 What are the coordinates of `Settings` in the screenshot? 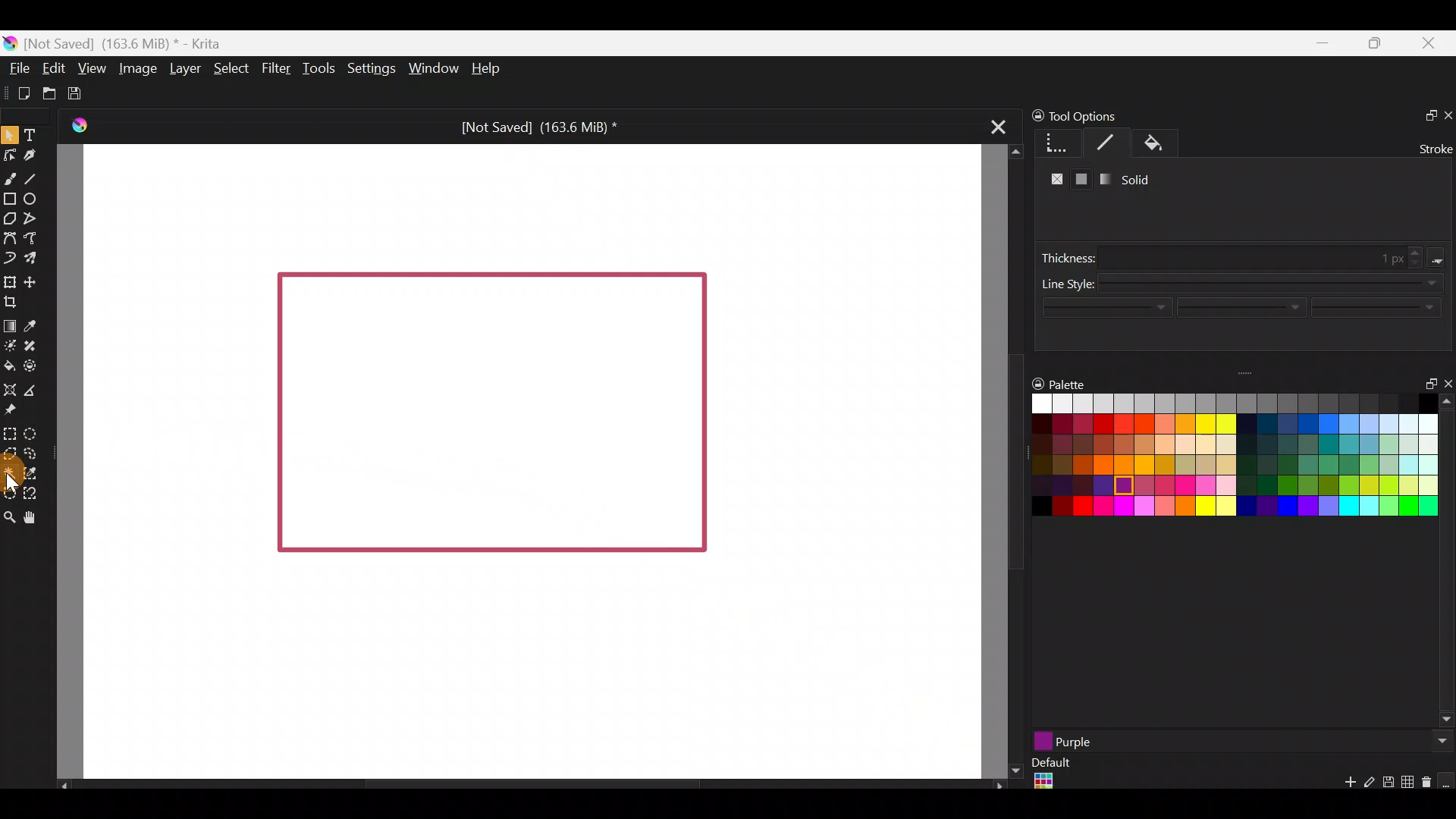 It's located at (369, 66).